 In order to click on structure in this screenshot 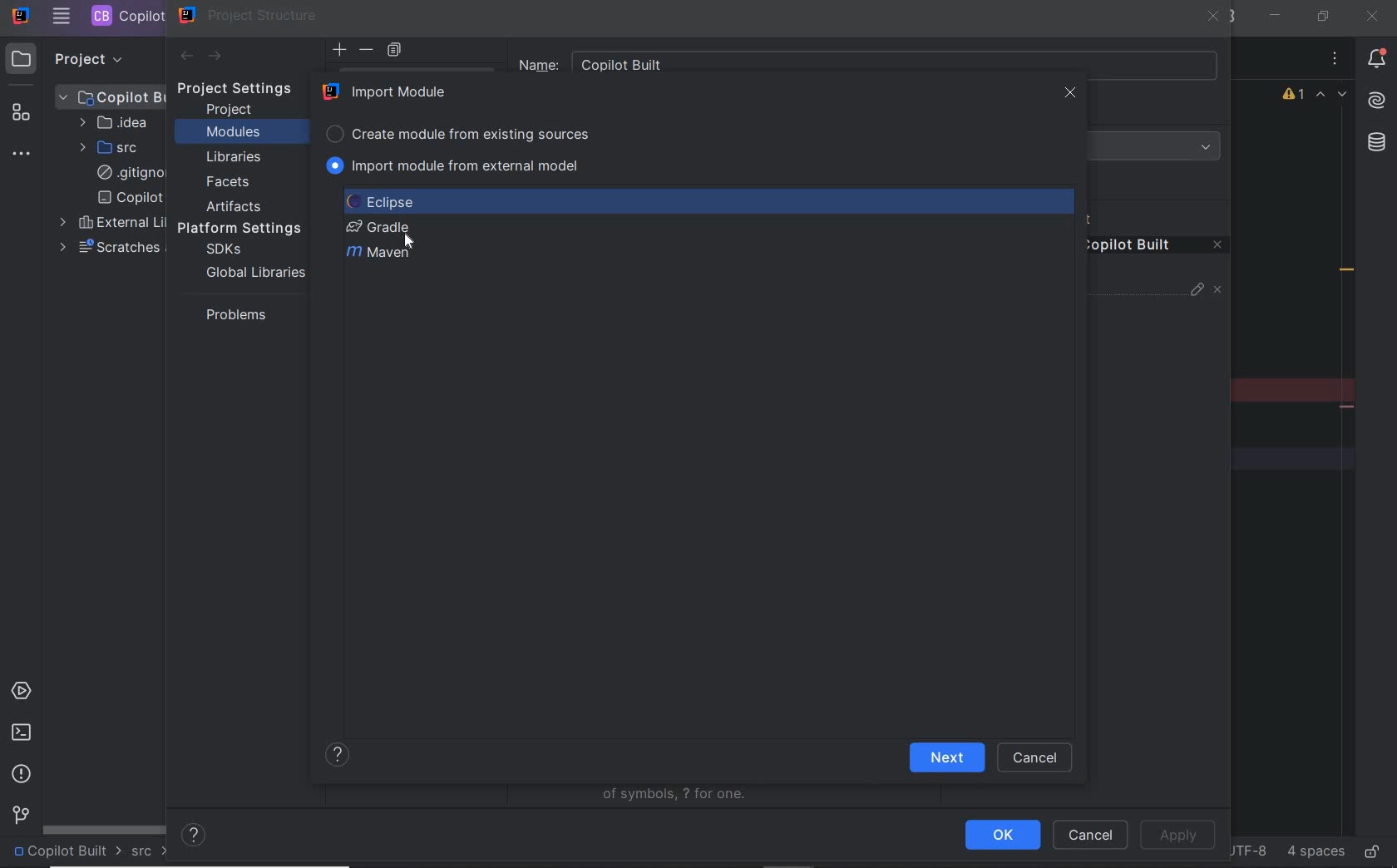, I will do `click(23, 116)`.